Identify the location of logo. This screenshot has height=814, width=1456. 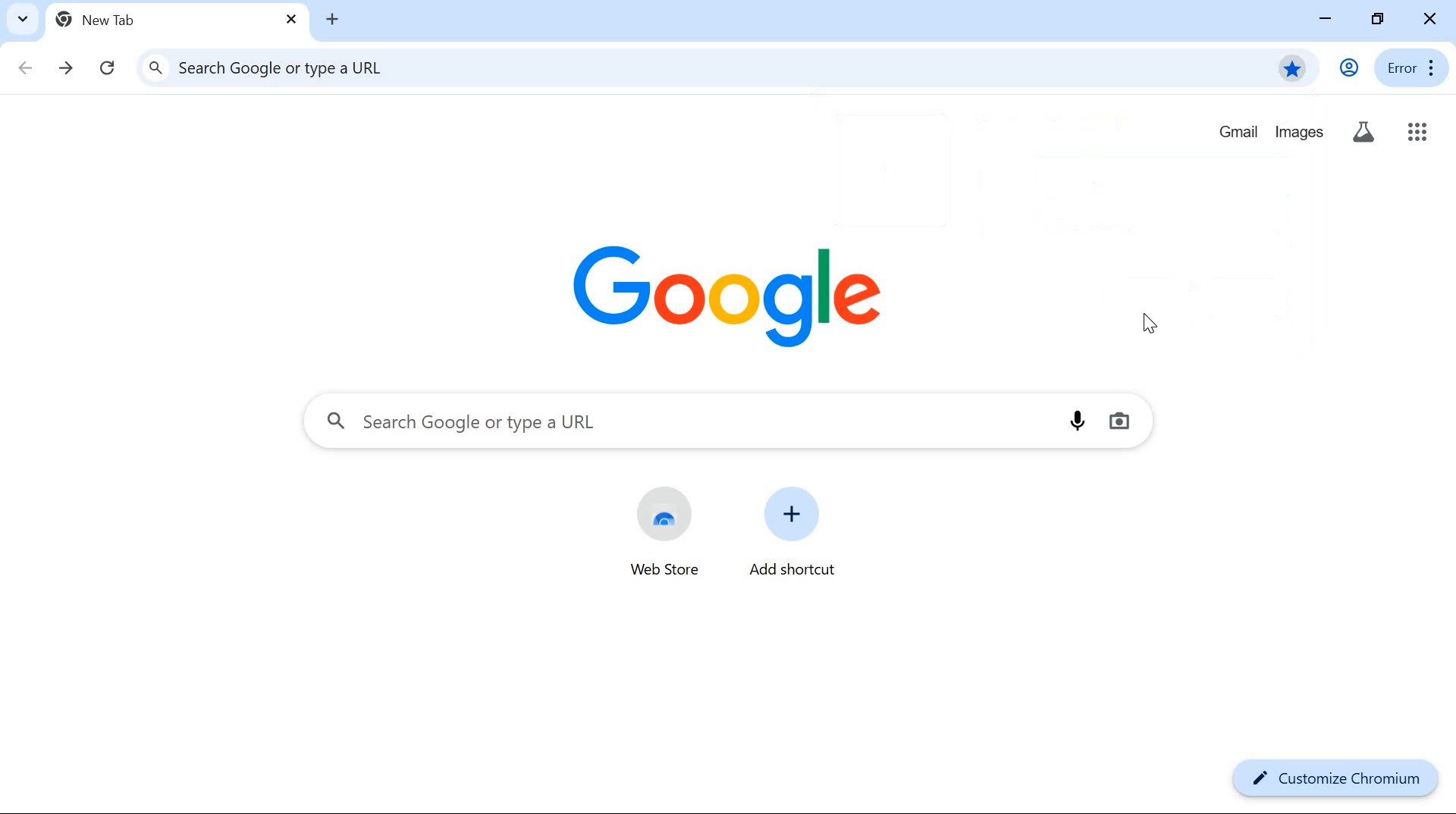
(723, 291).